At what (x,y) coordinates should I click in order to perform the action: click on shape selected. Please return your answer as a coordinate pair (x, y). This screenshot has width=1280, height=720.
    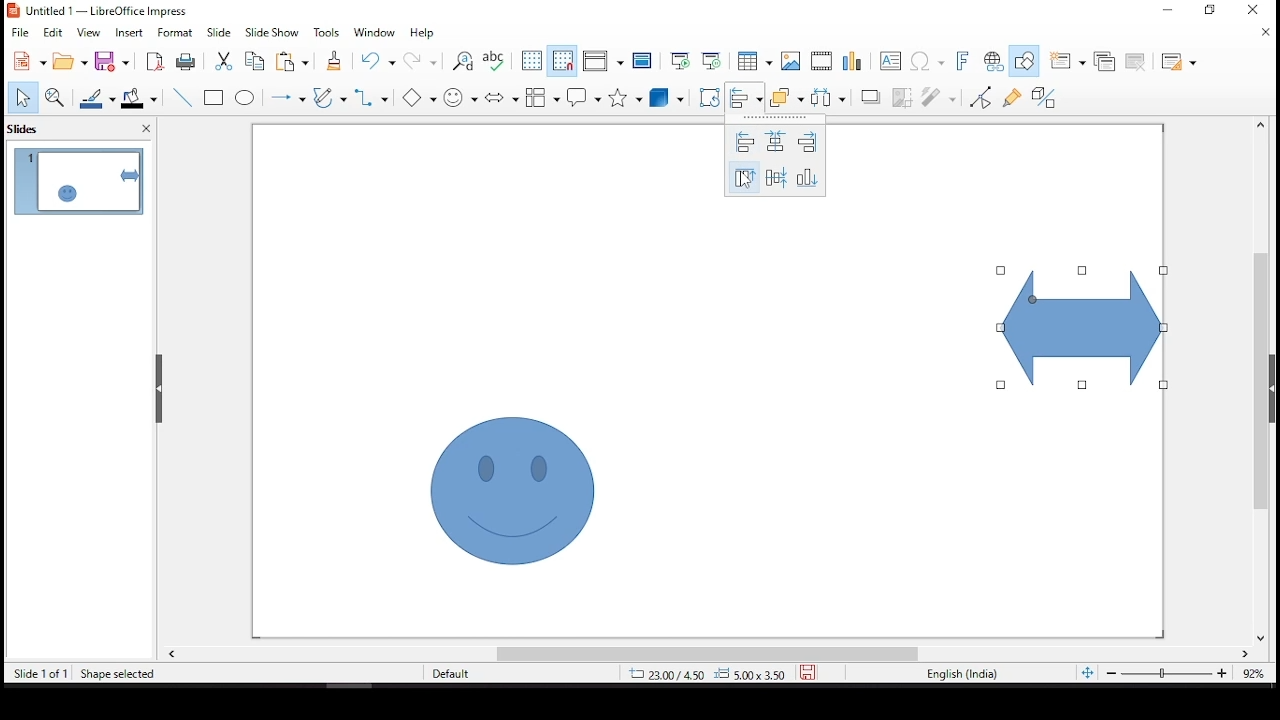
    Looking at the image, I should click on (118, 672).